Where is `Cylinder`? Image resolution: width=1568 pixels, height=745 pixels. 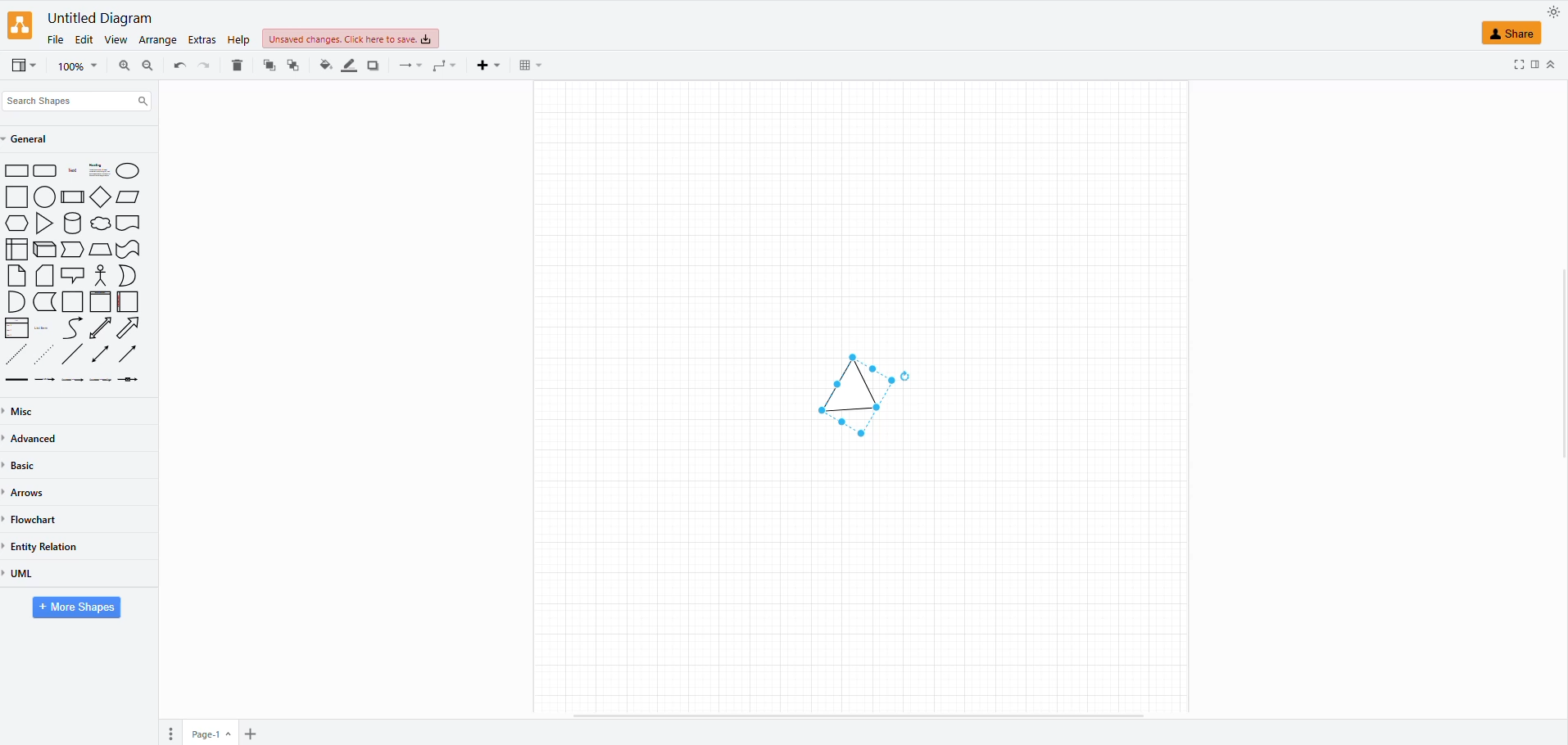 Cylinder is located at coordinates (74, 223).